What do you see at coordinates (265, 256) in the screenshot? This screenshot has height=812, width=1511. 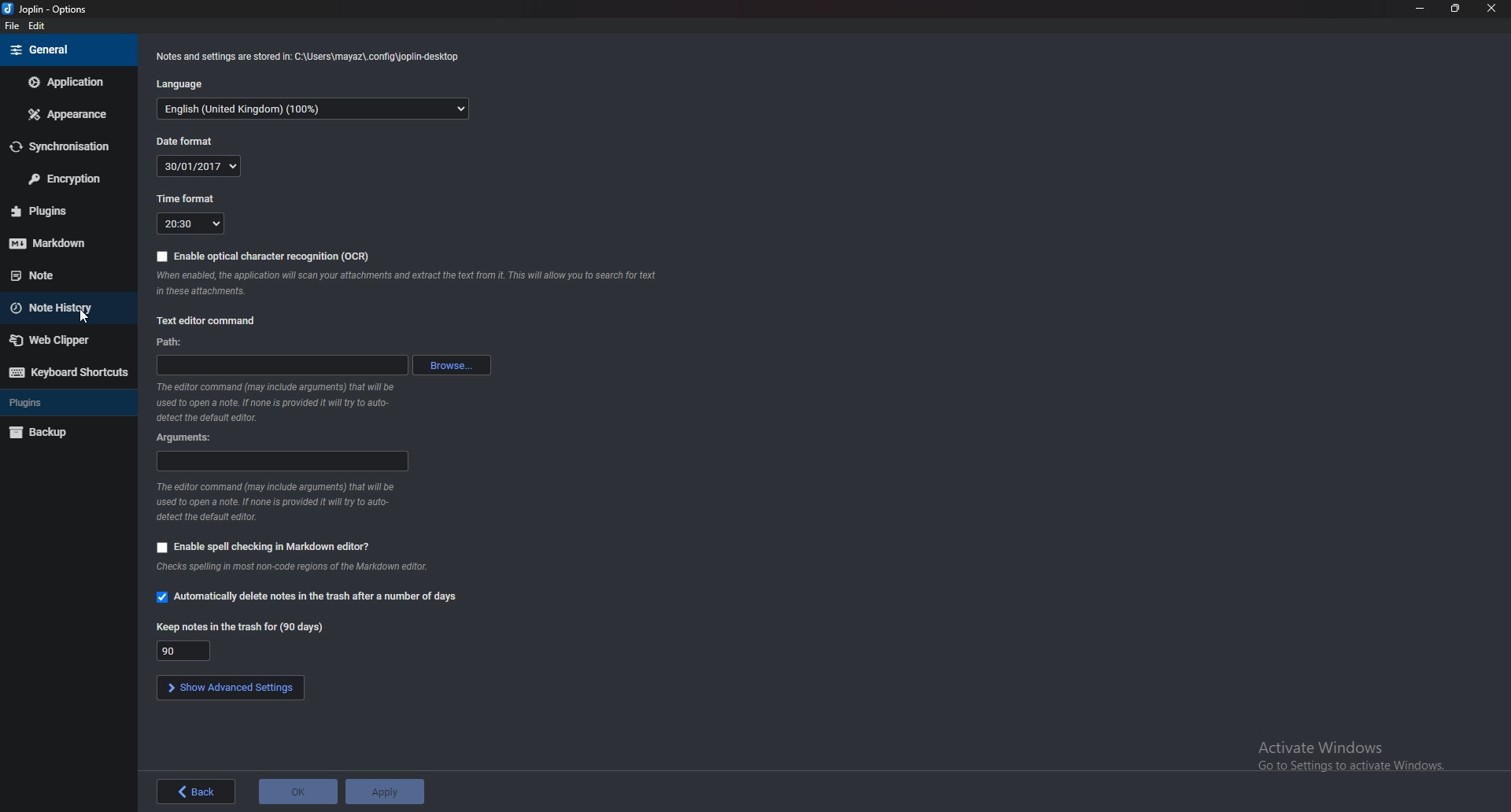 I see `Enable O C R` at bounding box center [265, 256].